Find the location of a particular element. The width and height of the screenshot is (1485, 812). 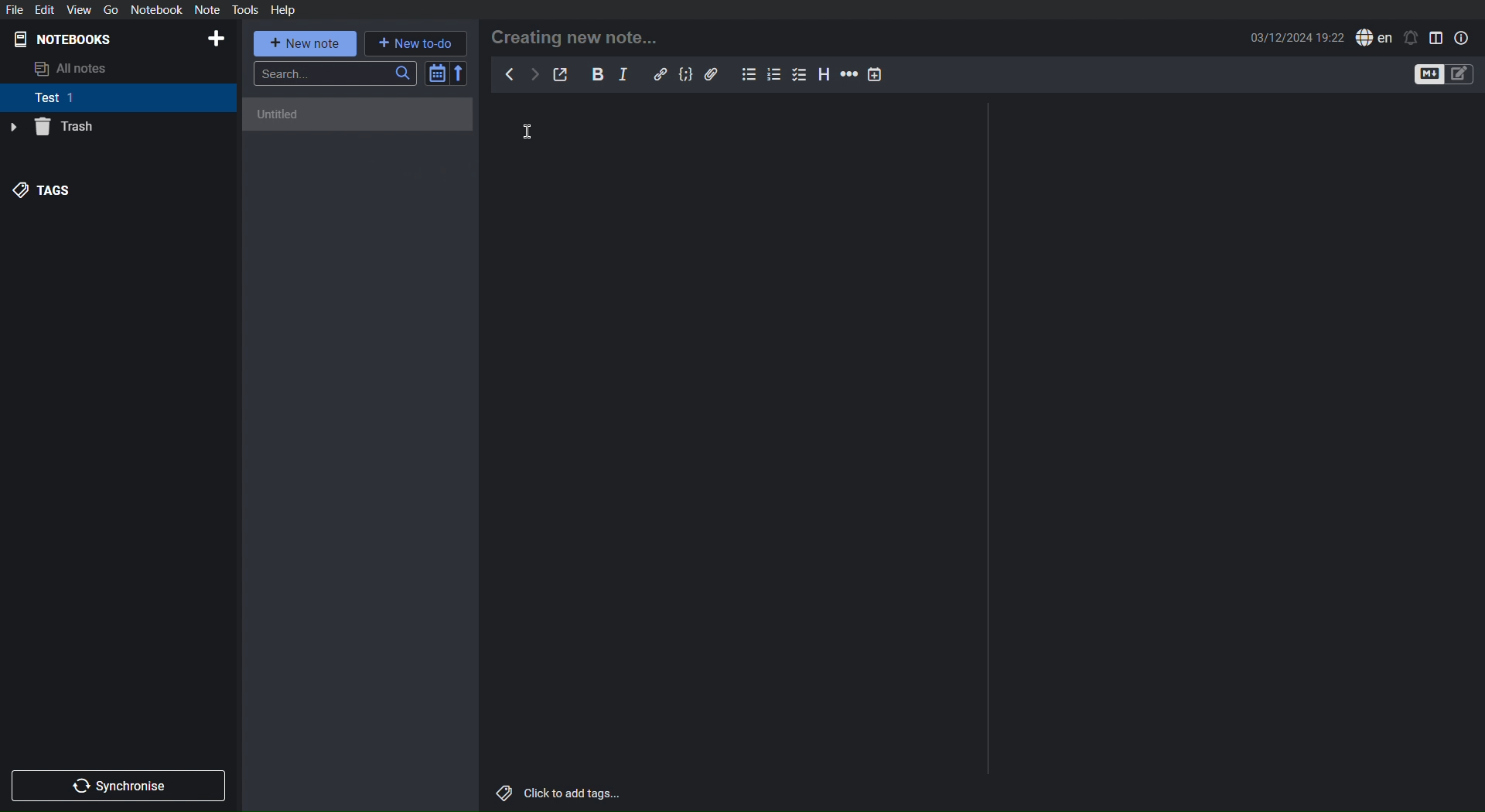

New to-do is located at coordinates (416, 43).